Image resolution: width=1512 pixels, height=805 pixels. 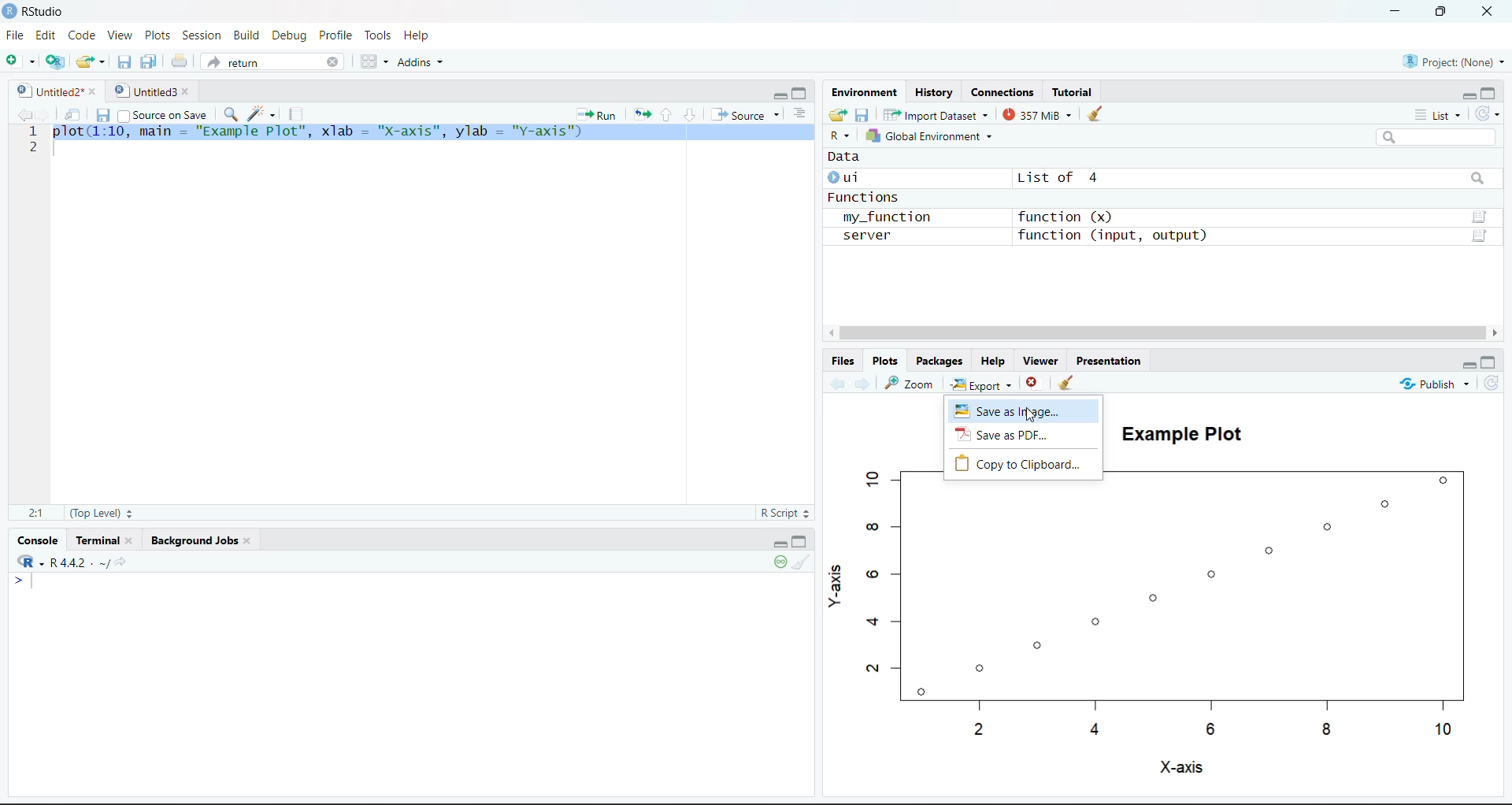 I want to click on R, so click(x=841, y=136).